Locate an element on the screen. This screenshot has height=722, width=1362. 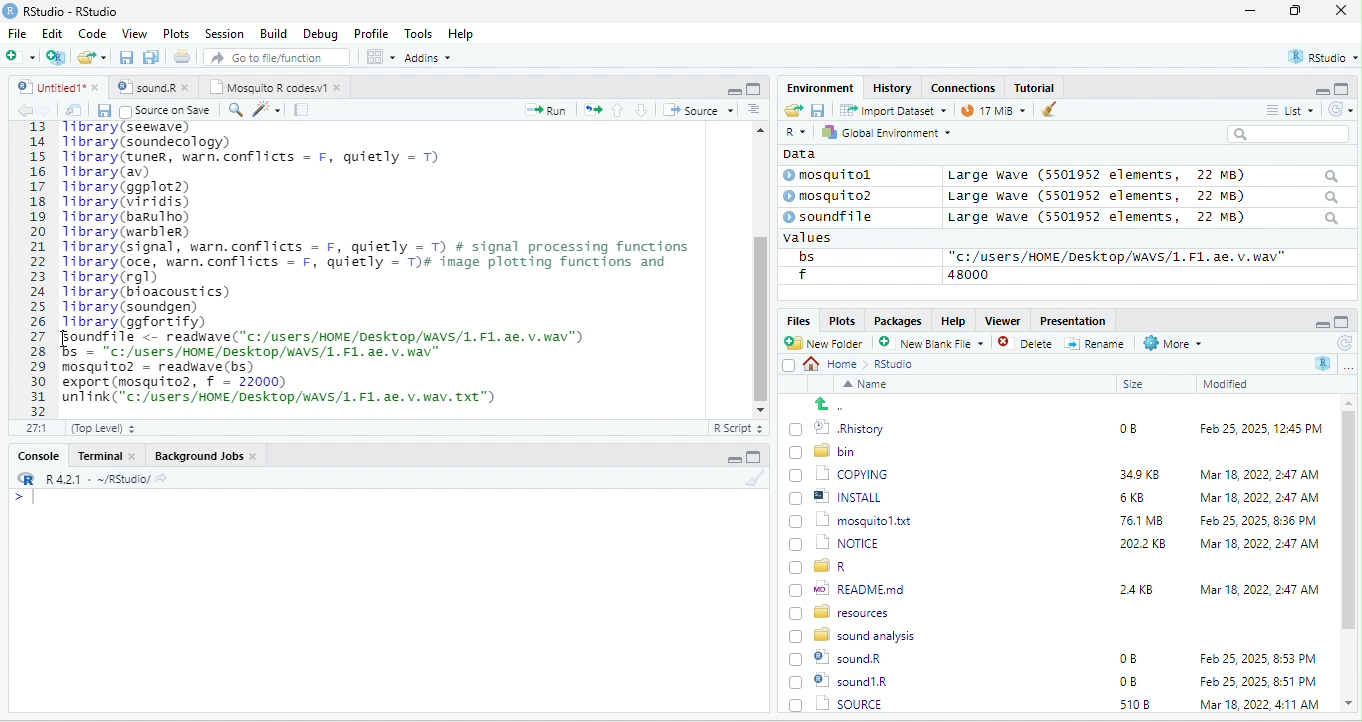
349K8 is located at coordinates (1140, 475).